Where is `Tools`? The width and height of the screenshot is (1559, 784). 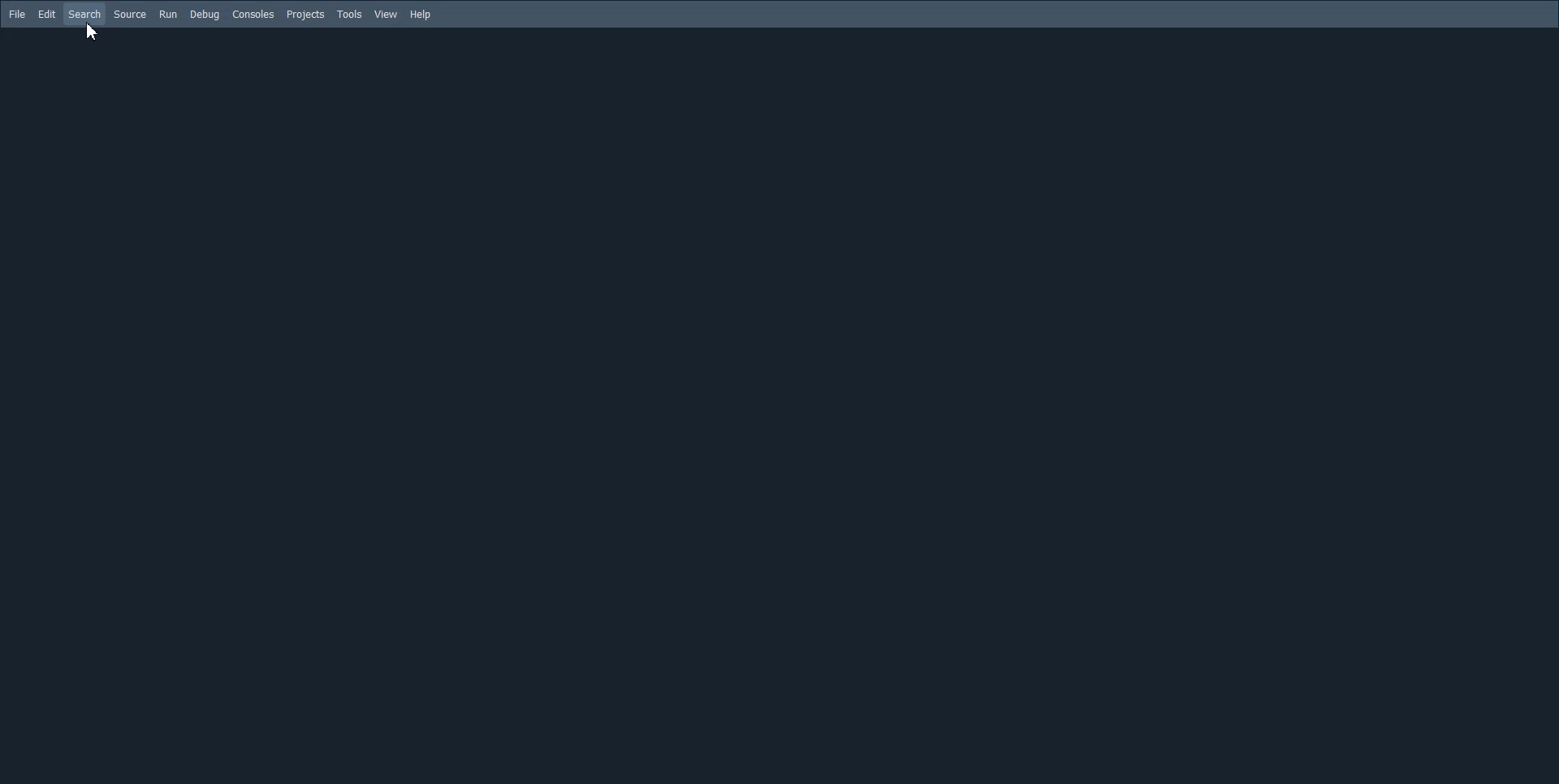 Tools is located at coordinates (349, 13).